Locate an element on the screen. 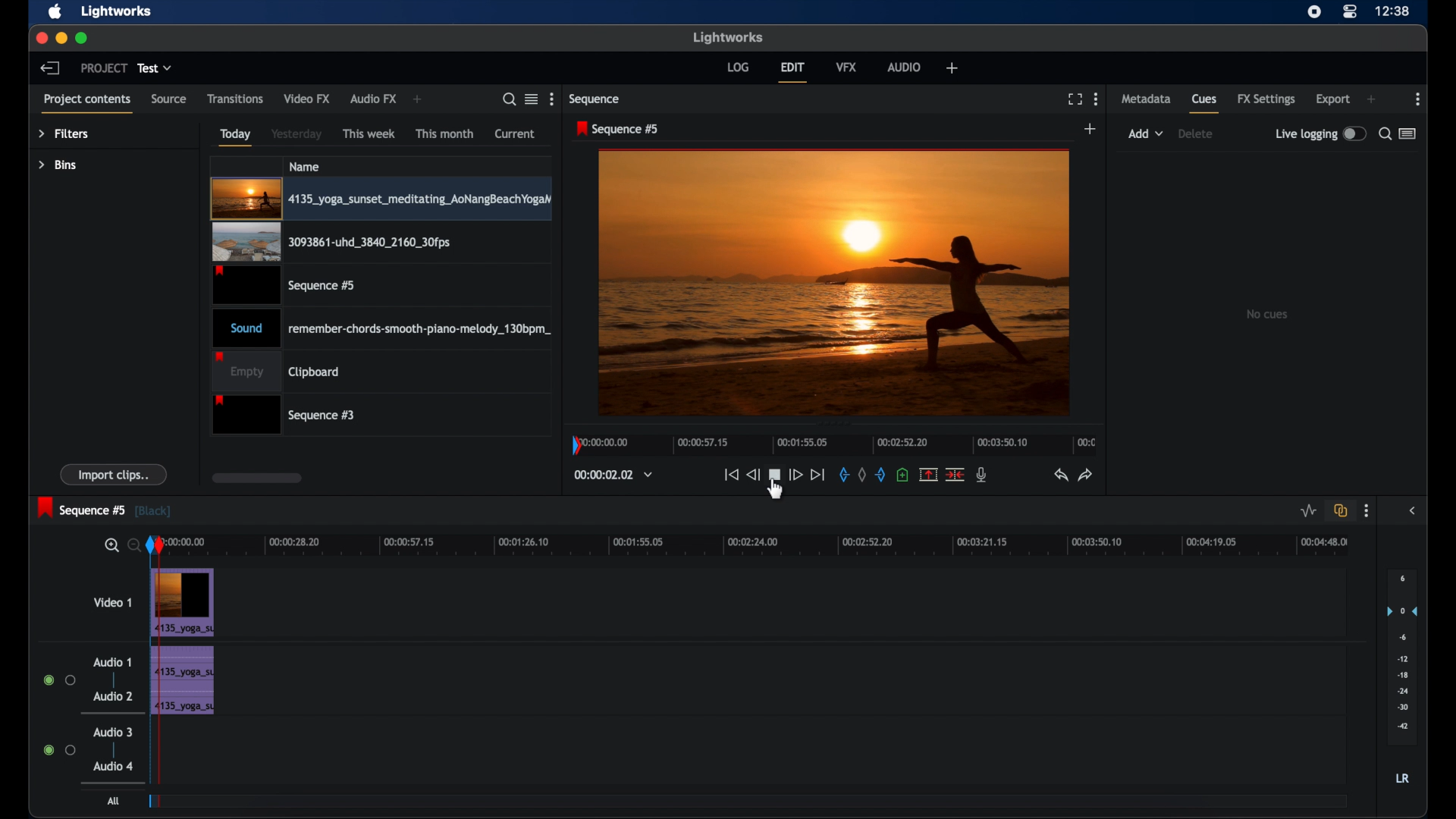  add a cue at current position is located at coordinates (904, 475).